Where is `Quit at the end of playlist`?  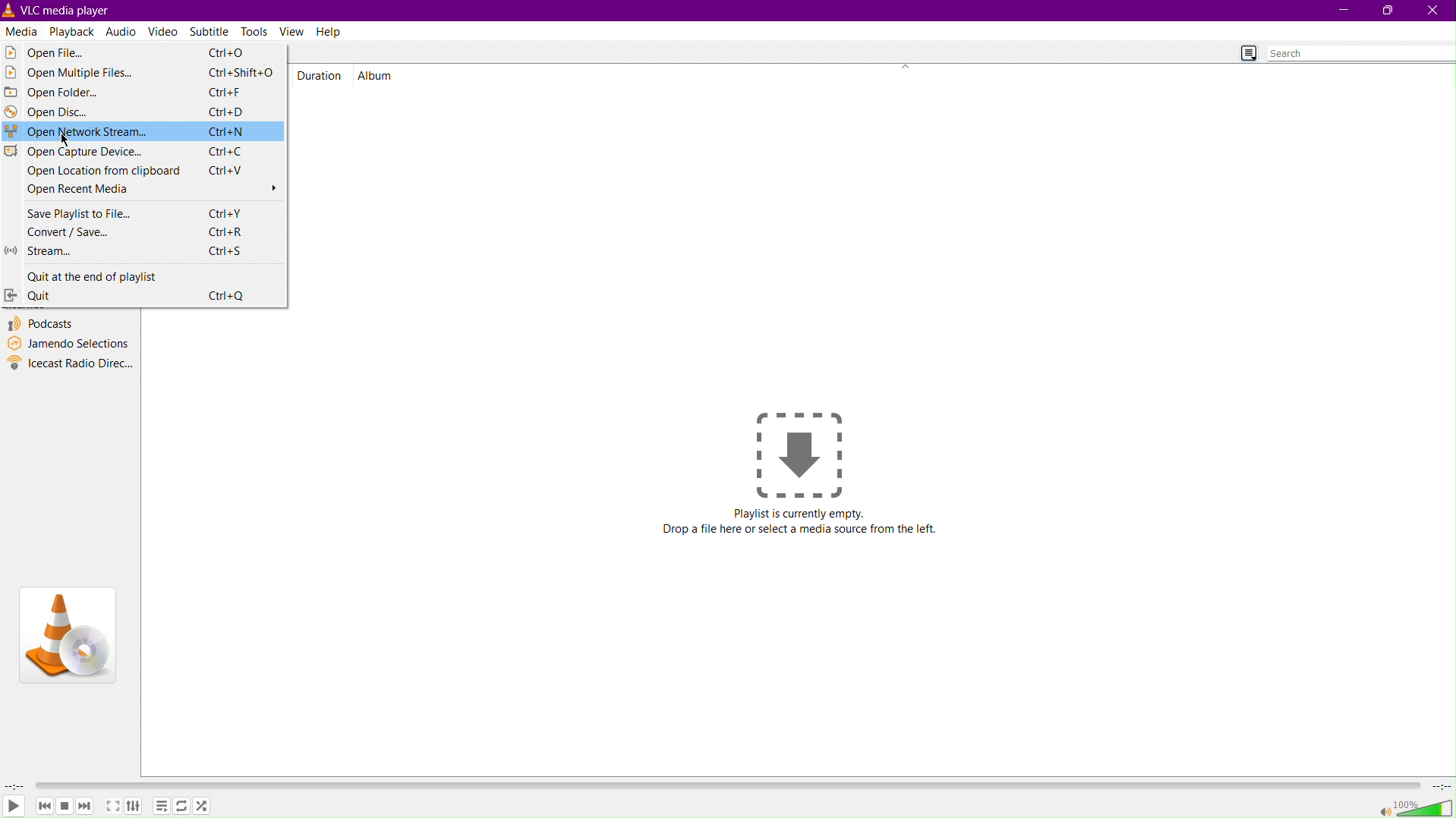 Quit at the end of playlist is located at coordinates (82, 275).